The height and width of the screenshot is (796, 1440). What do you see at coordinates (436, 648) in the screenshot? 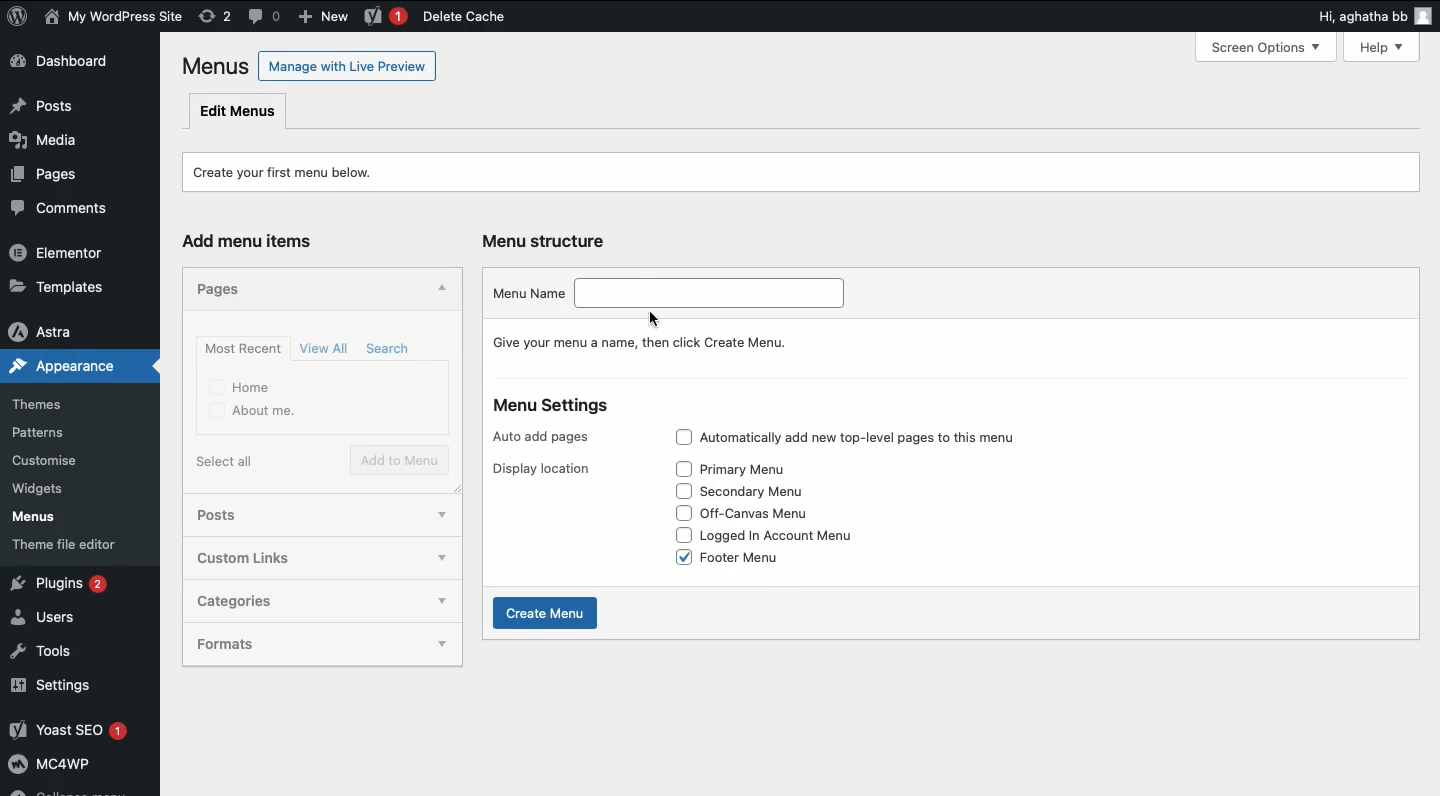
I see `show` at bounding box center [436, 648].